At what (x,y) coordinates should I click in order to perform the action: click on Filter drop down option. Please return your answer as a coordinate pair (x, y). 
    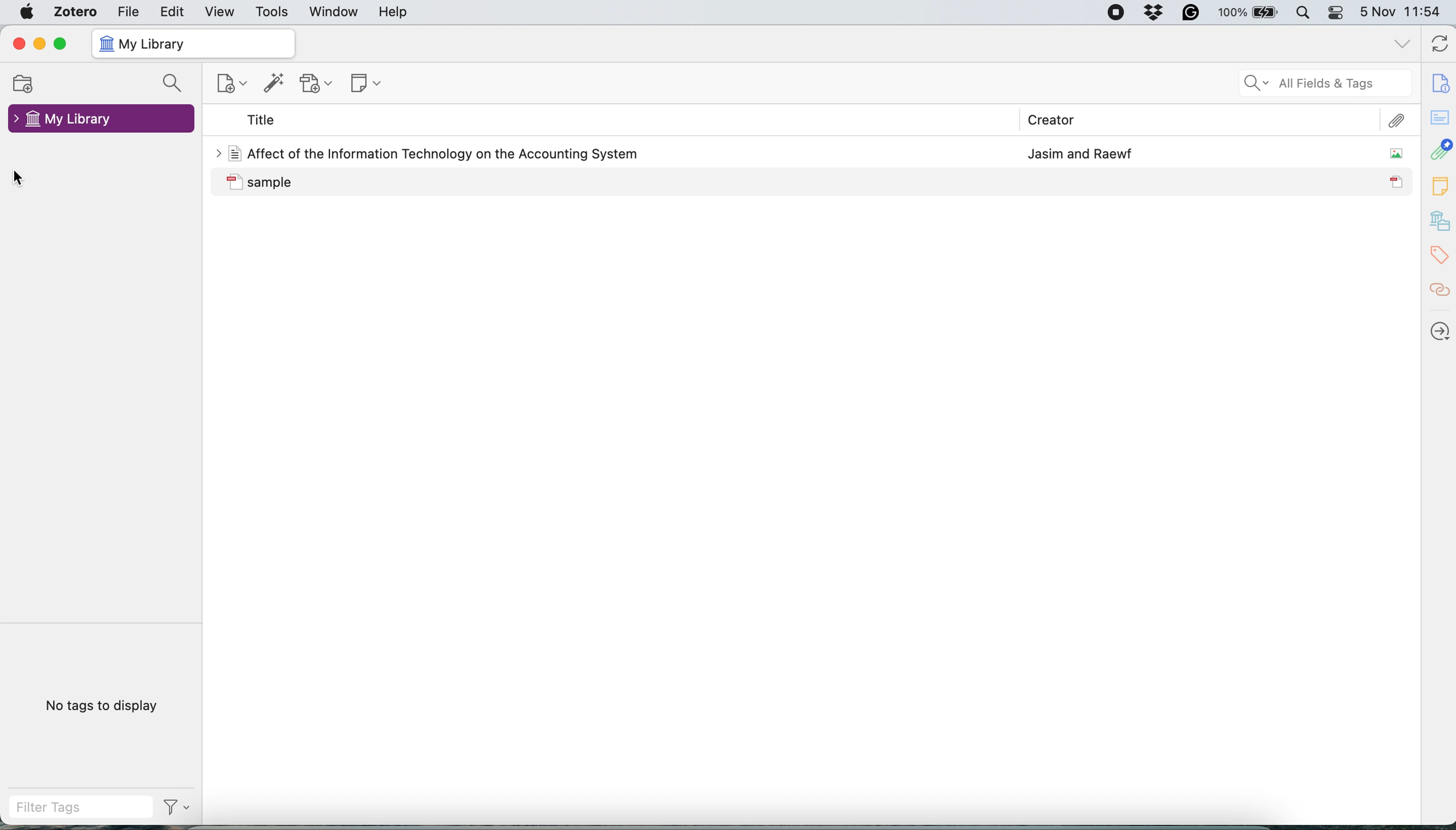
    Looking at the image, I should click on (174, 813).